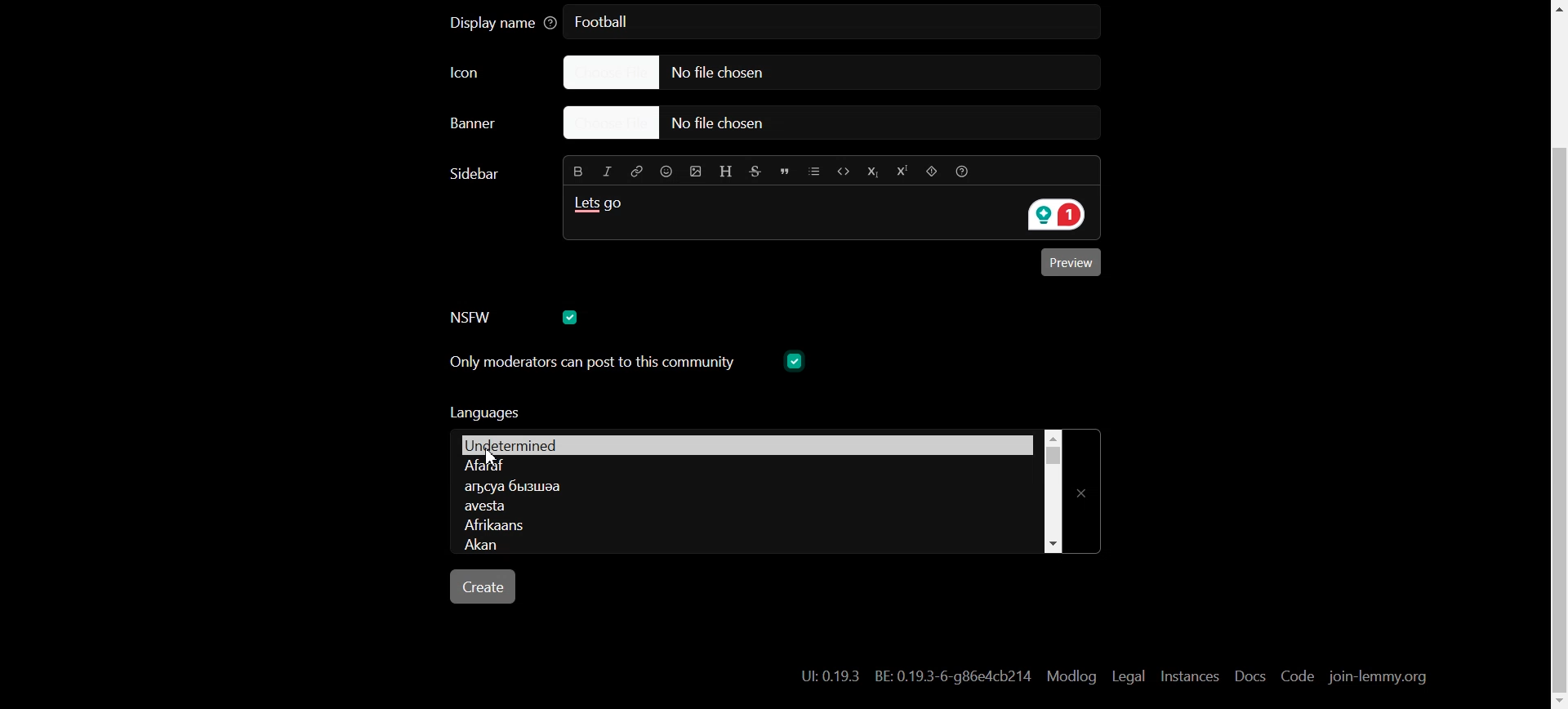 Image resolution: width=1568 pixels, height=709 pixels. What do you see at coordinates (757, 170) in the screenshot?
I see `Strikethrough` at bounding box center [757, 170].